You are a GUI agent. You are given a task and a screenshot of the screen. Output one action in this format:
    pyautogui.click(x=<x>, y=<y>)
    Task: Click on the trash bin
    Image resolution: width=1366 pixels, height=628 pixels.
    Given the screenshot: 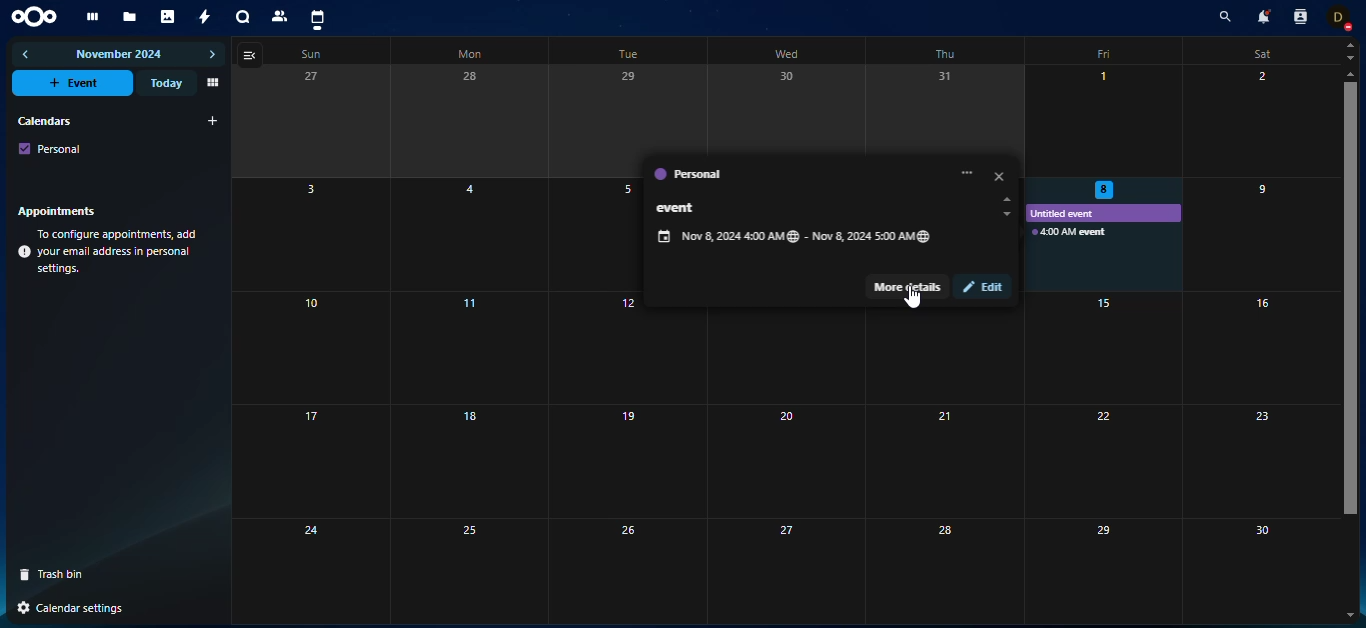 What is the action you would take?
    pyautogui.click(x=59, y=574)
    